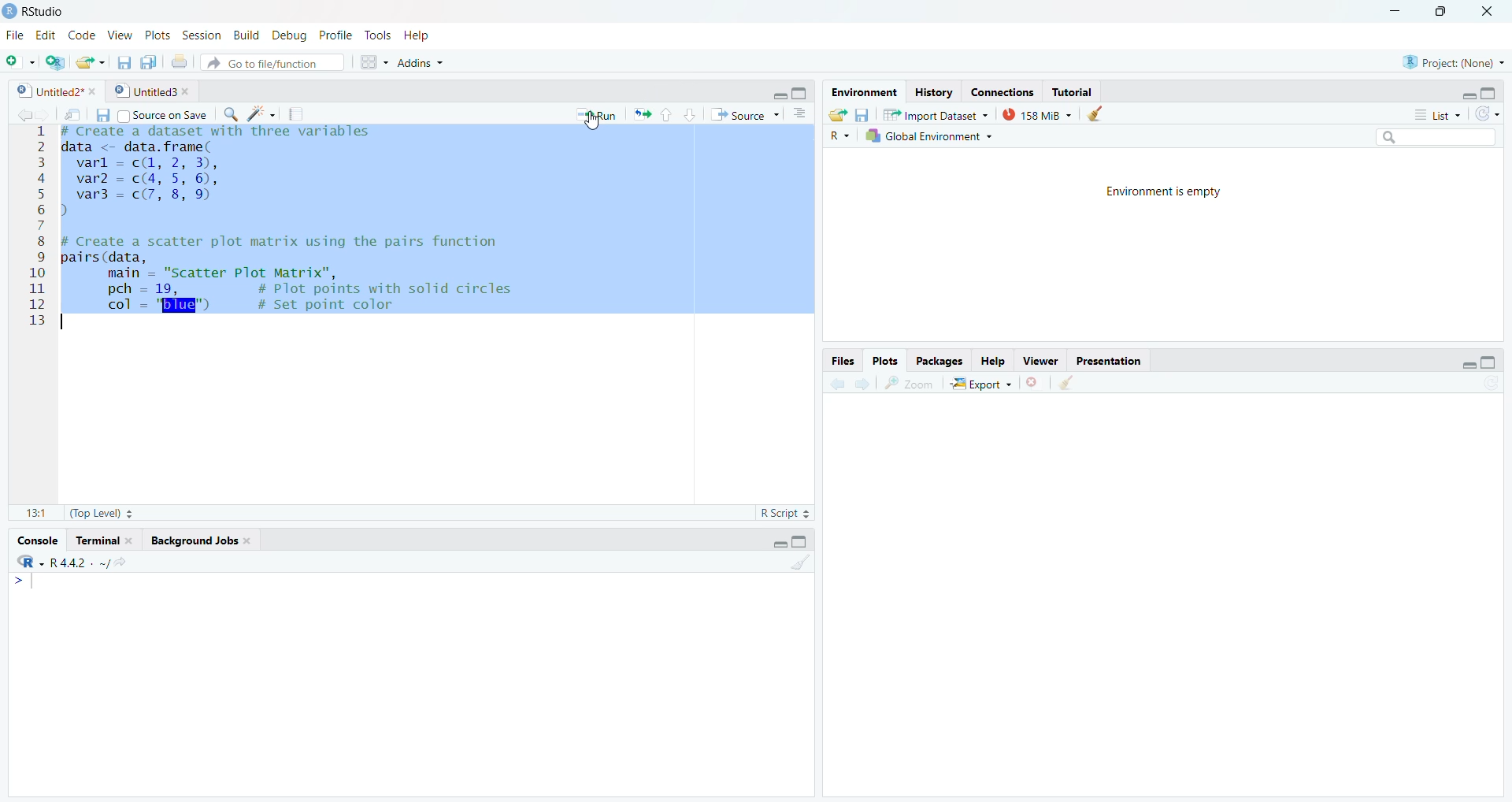 The image size is (1512, 802). I want to click on History, so click(932, 91).